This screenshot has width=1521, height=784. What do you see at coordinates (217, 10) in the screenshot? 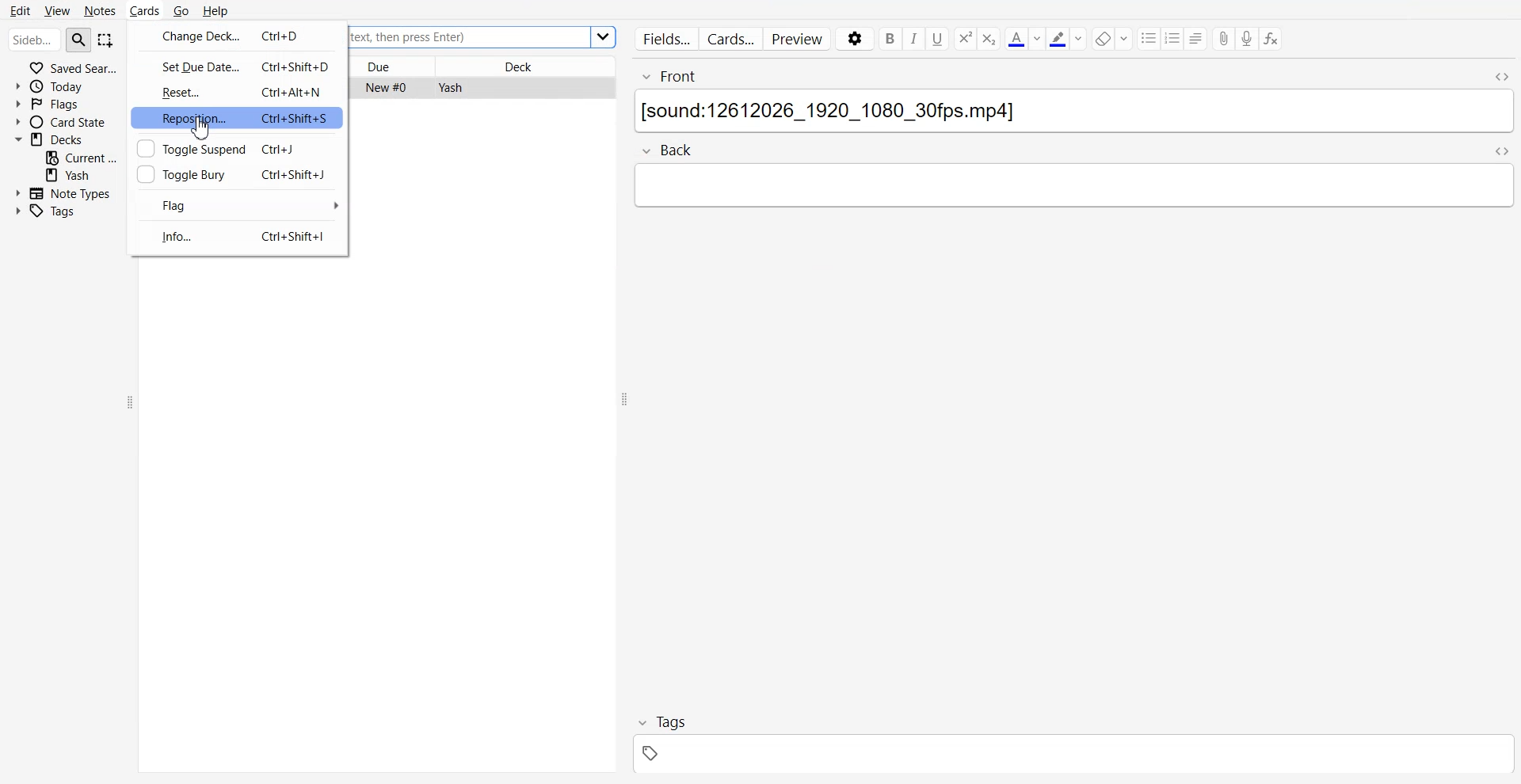
I see `Help` at bounding box center [217, 10].